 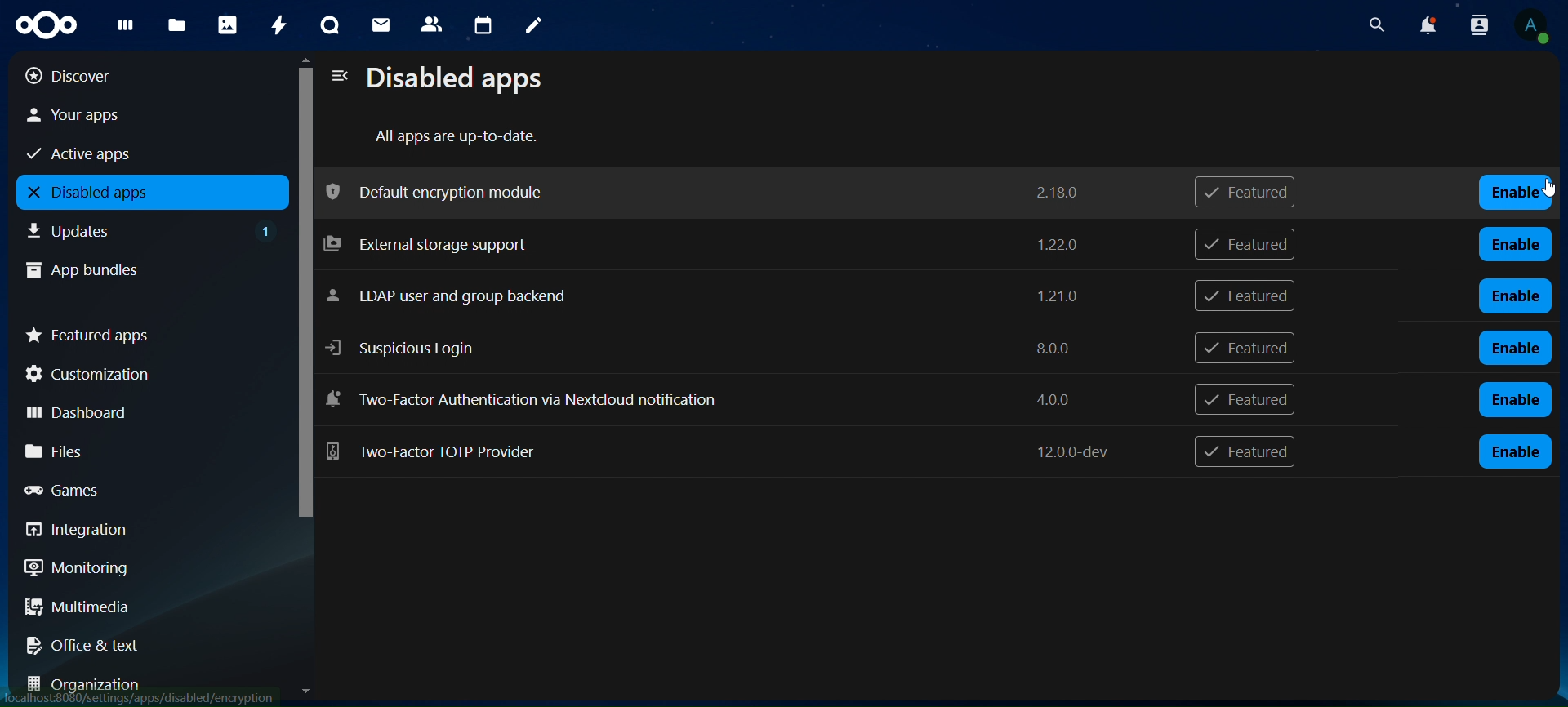 What do you see at coordinates (278, 24) in the screenshot?
I see `activity` at bounding box center [278, 24].